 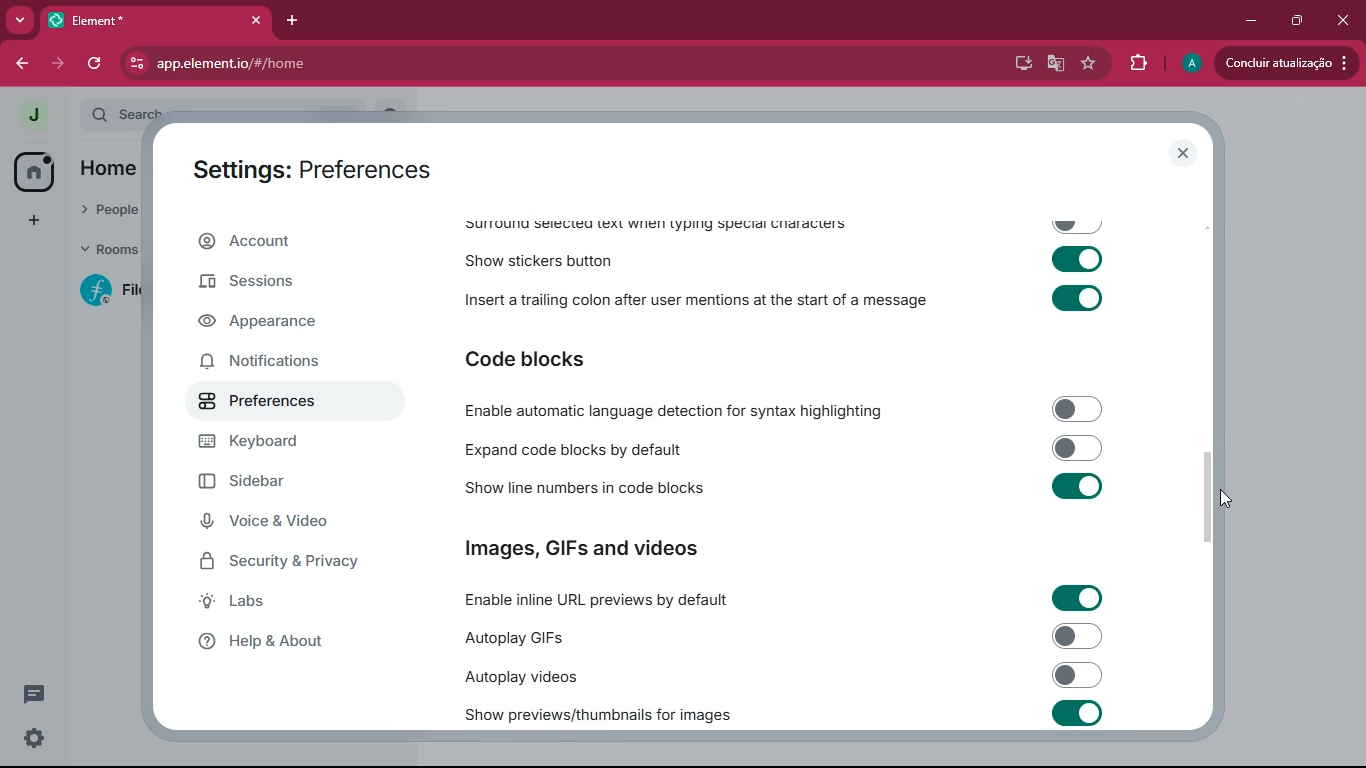 What do you see at coordinates (34, 741) in the screenshot?
I see `settings ` at bounding box center [34, 741].